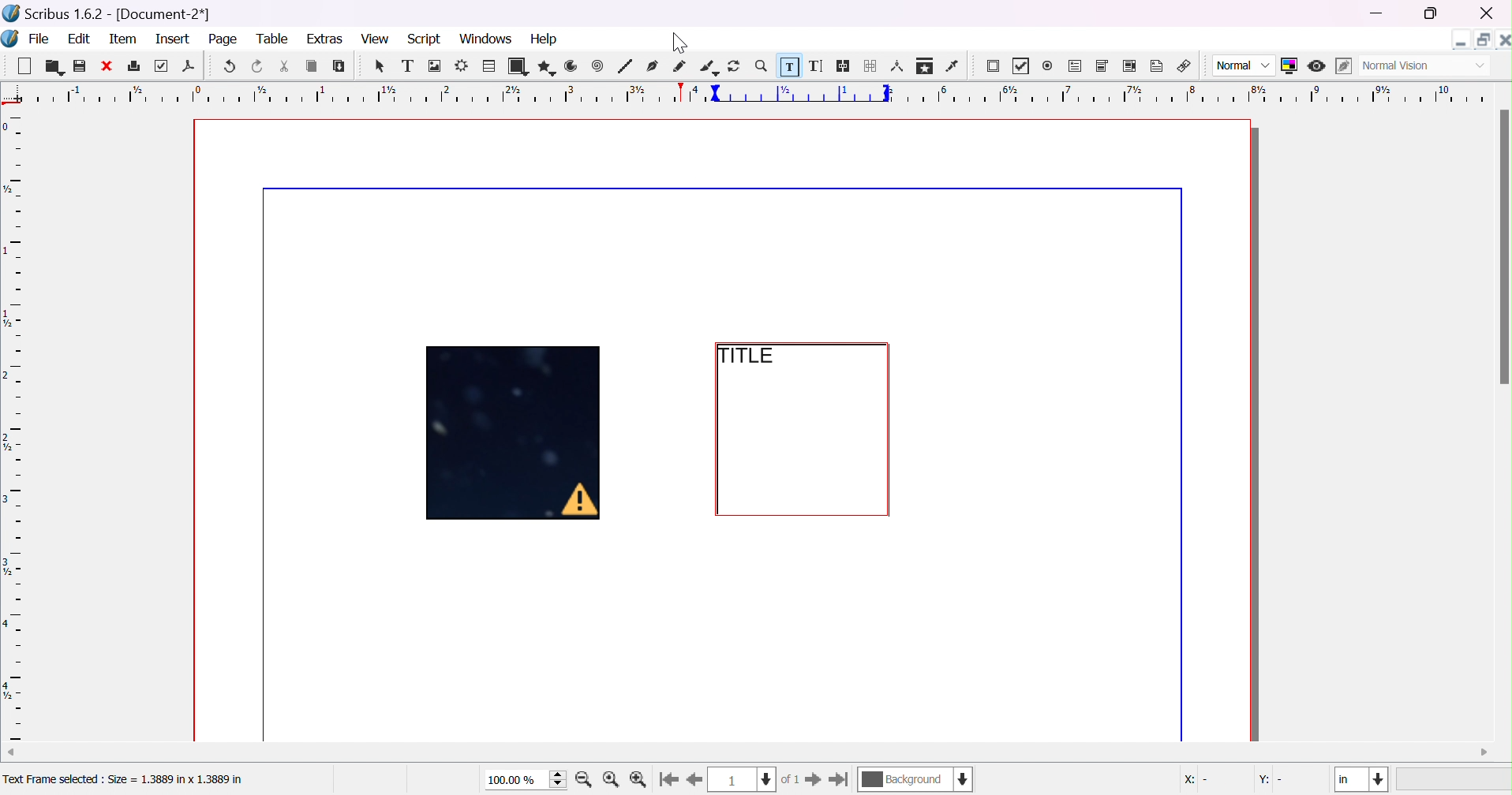 This screenshot has height=795, width=1512. Describe the element at coordinates (339, 65) in the screenshot. I see `paste` at that location.